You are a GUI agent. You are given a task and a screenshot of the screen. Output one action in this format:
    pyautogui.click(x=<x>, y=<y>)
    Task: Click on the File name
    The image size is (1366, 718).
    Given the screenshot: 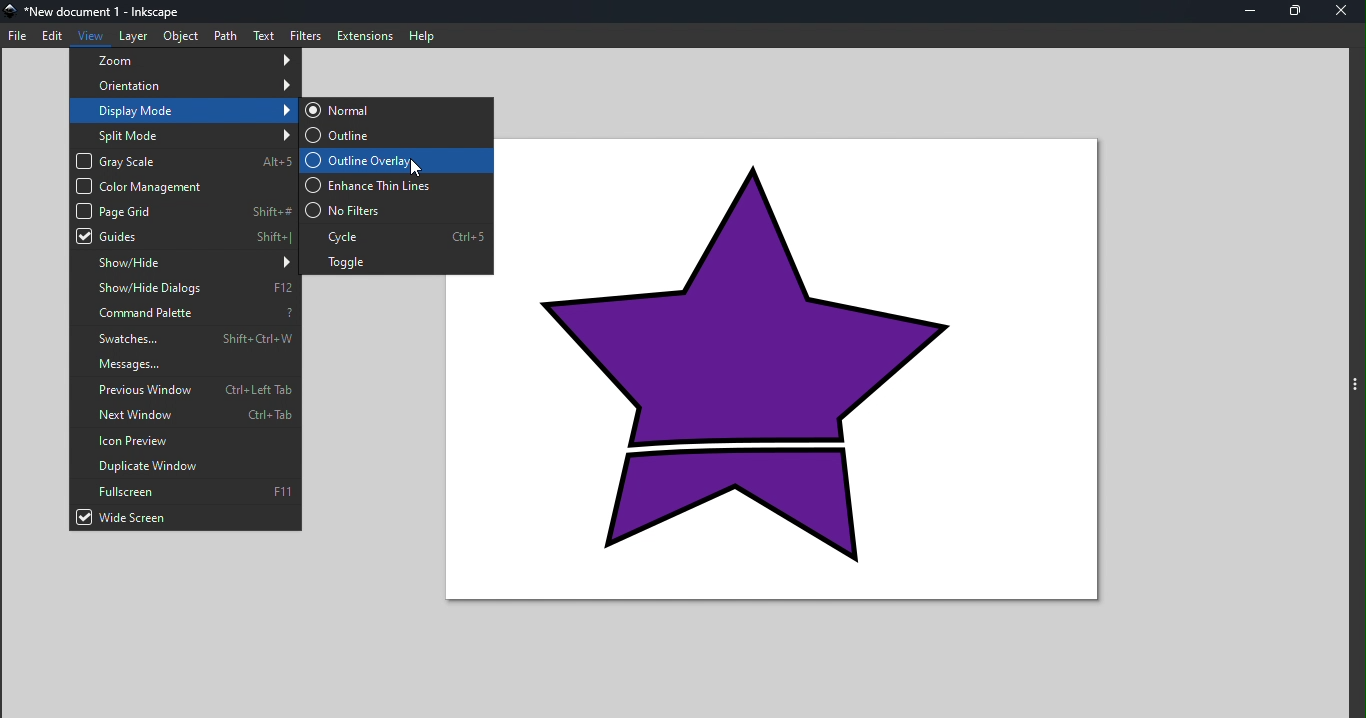 What is the action you would take?
    pyautogui.click(x=101, y=12)
    